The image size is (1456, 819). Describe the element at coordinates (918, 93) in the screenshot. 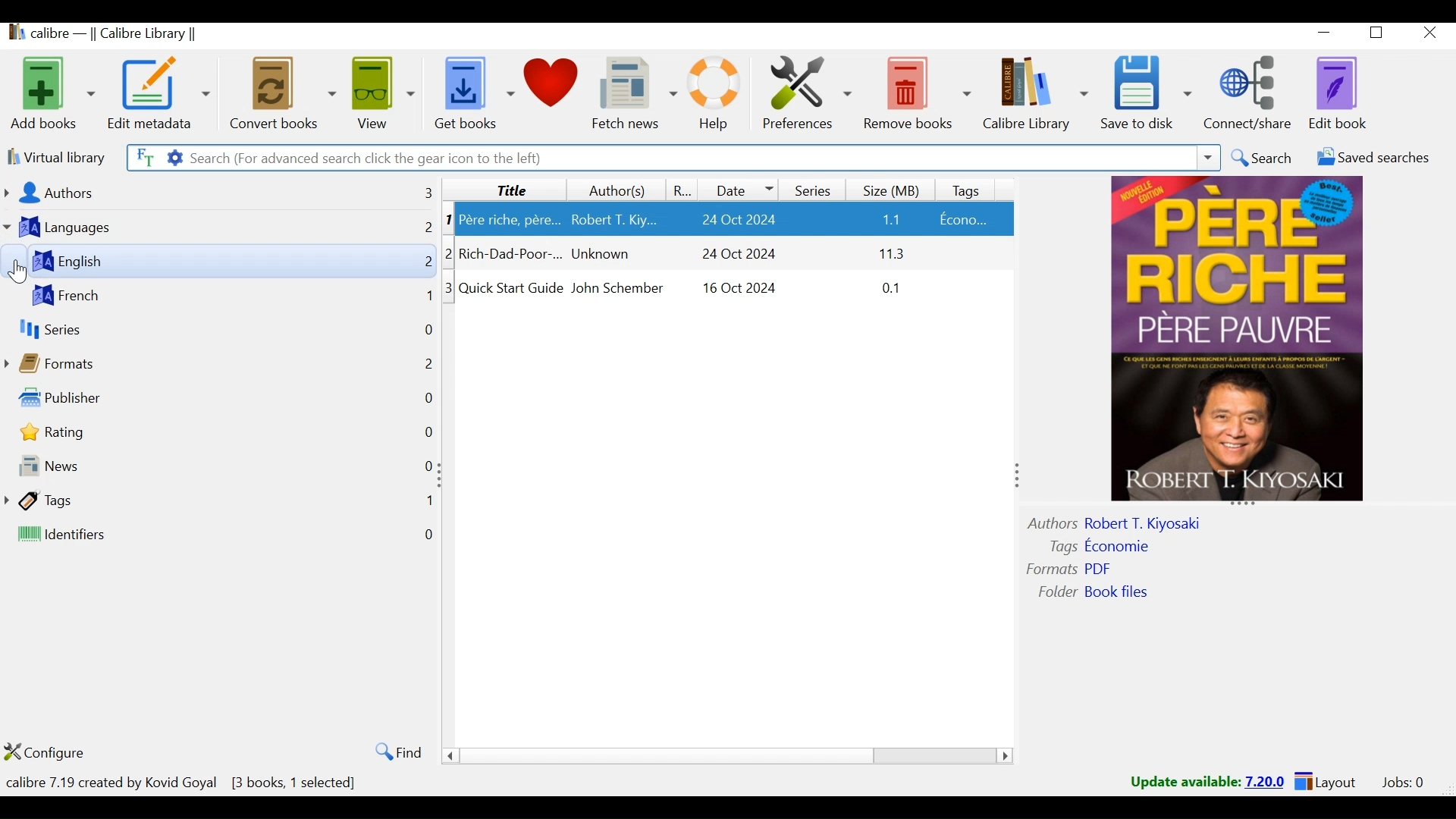

I see `Remove books` at that location.